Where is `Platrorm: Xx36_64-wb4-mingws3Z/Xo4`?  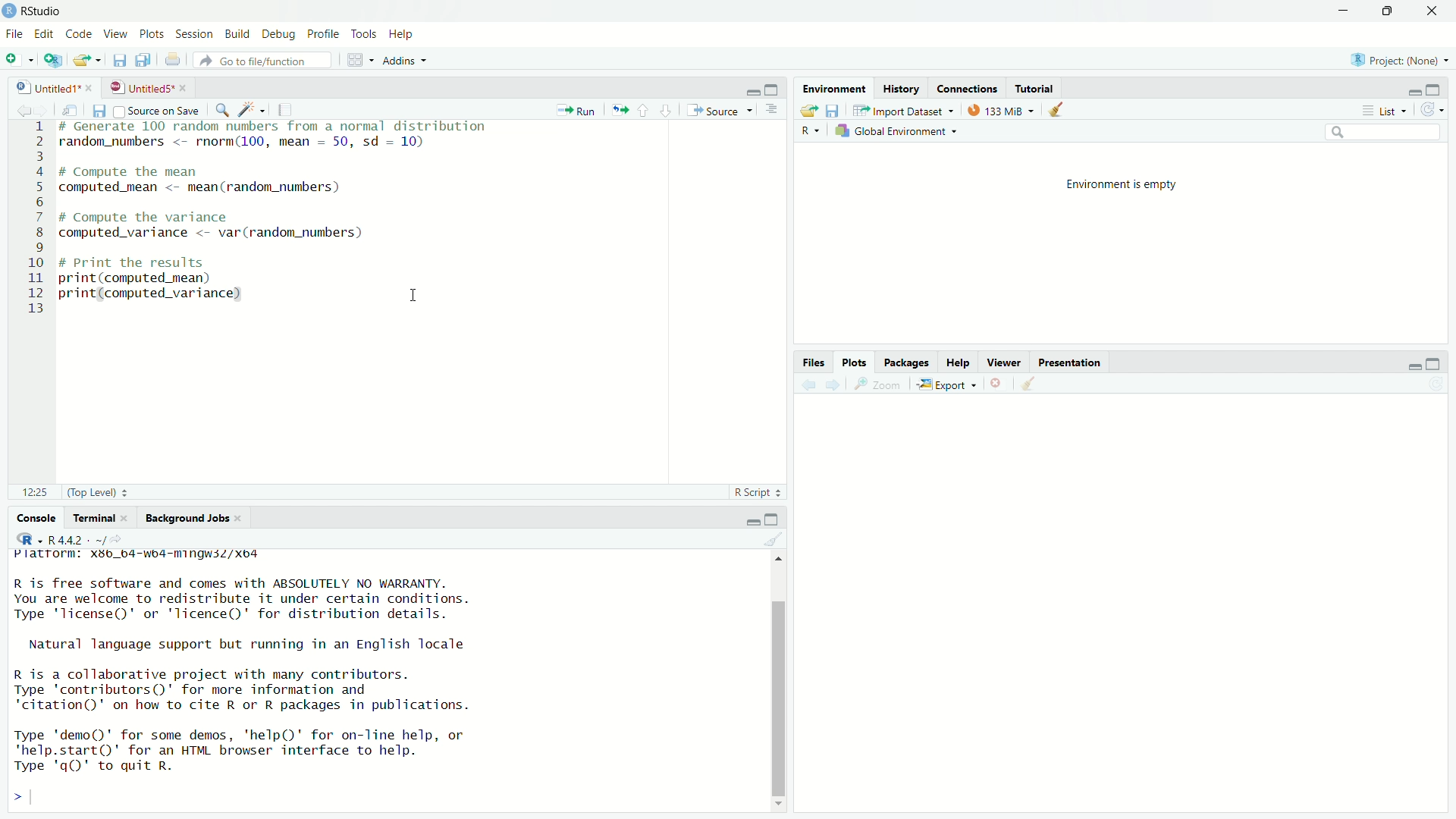
Platrorm: Xx36_64-wb4-mingws3Z/Xo4 is located at coordinates (147, 555).